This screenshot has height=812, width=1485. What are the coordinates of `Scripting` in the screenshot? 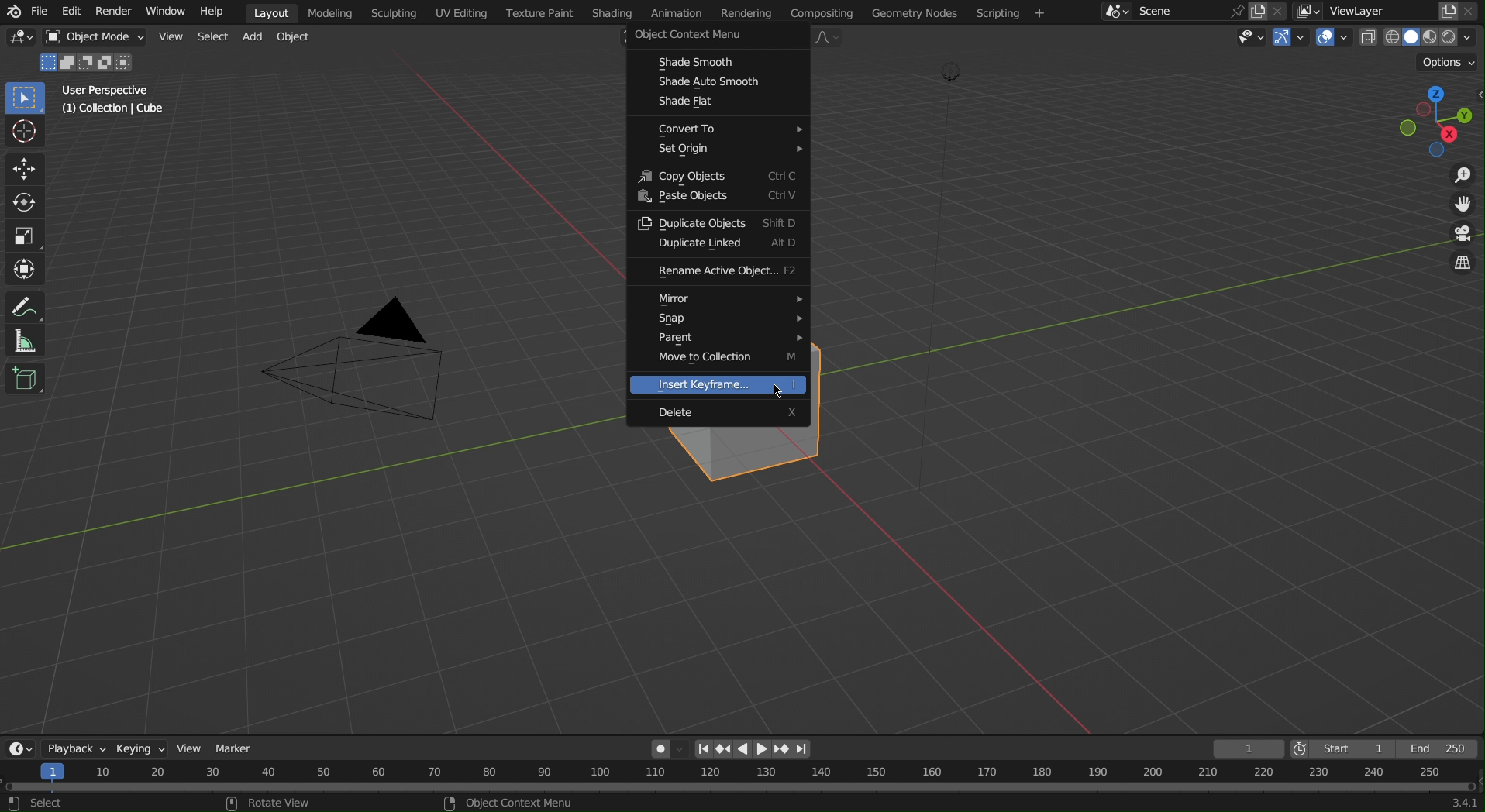 It's located at (1008, 13).